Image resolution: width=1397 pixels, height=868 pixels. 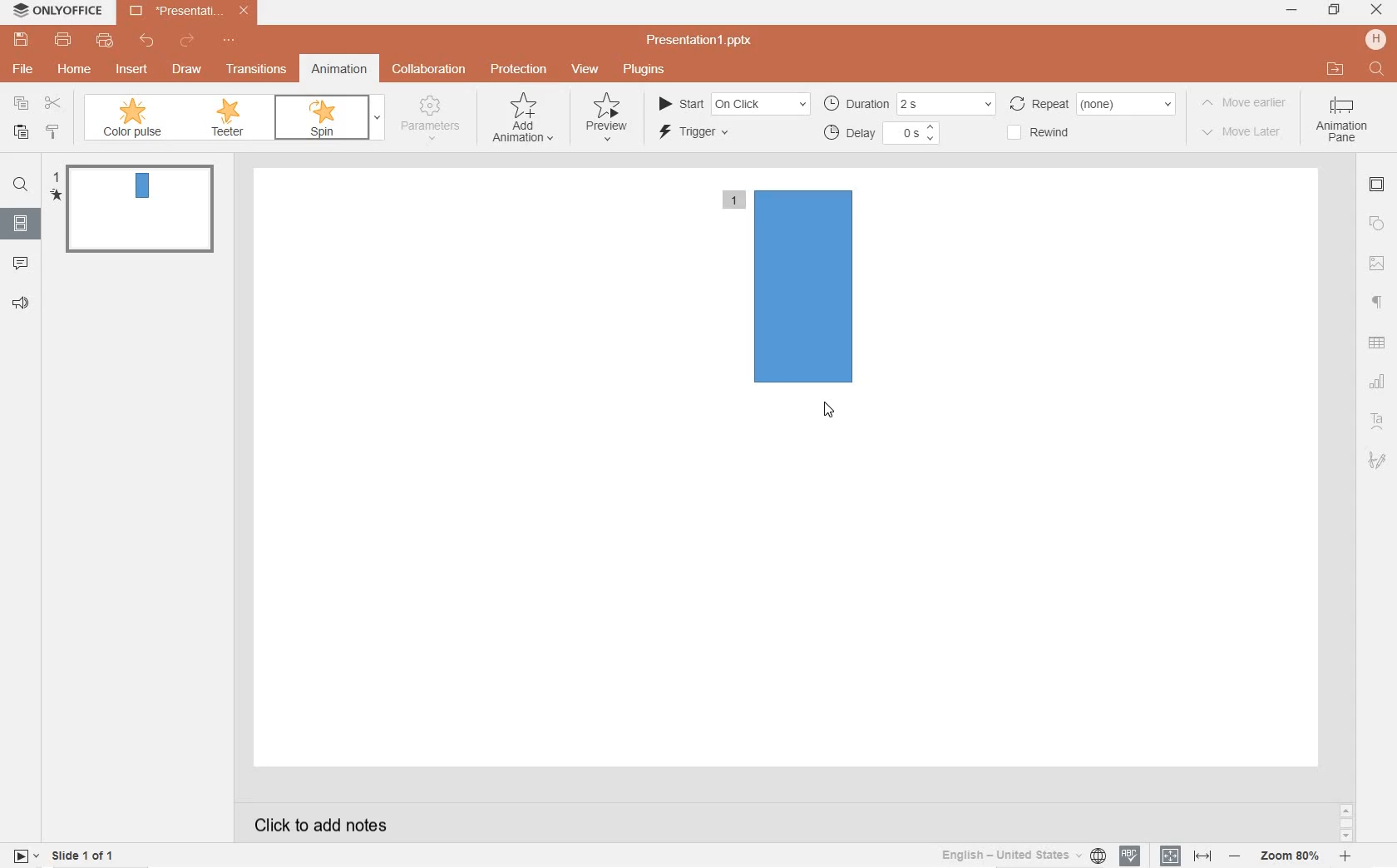 What do you see at coordinates (26, 855) in the screenshot?
I see `start slide show` at bounding box center [26, 855].